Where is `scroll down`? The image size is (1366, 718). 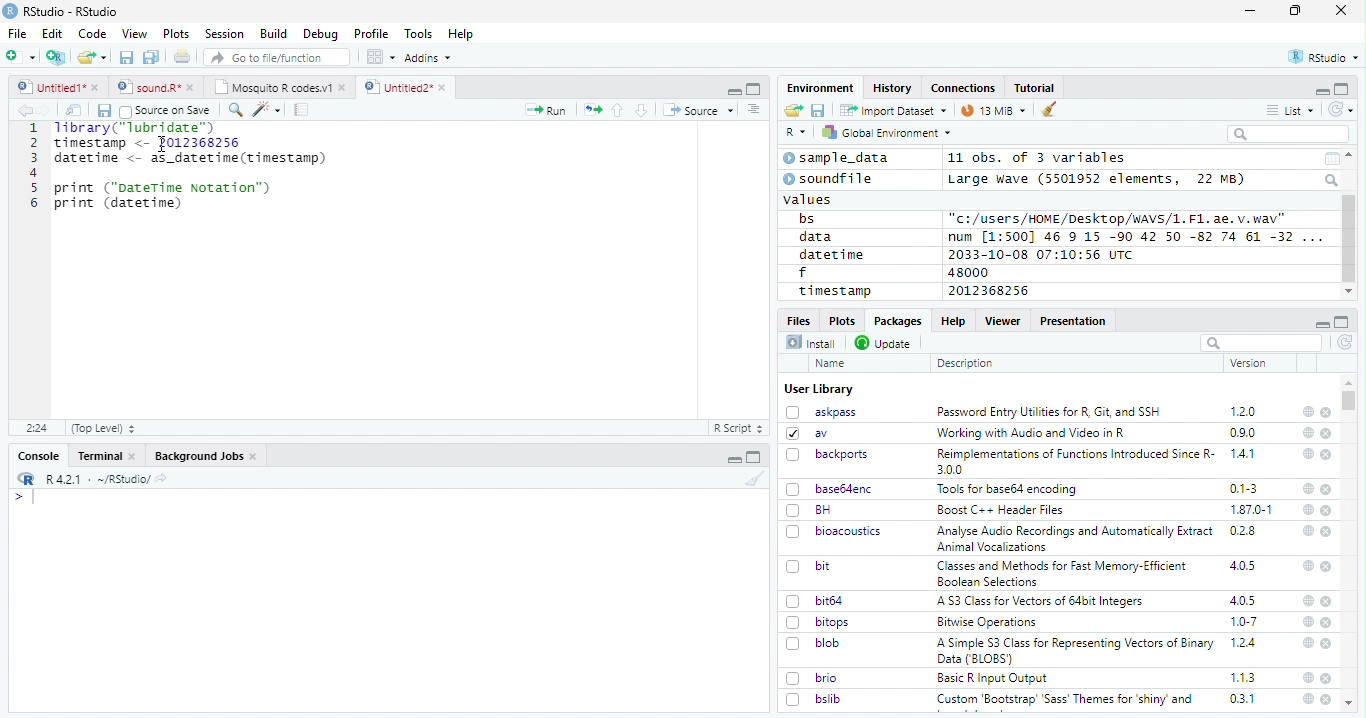 scroll down is located at coordinates (1348, 292).